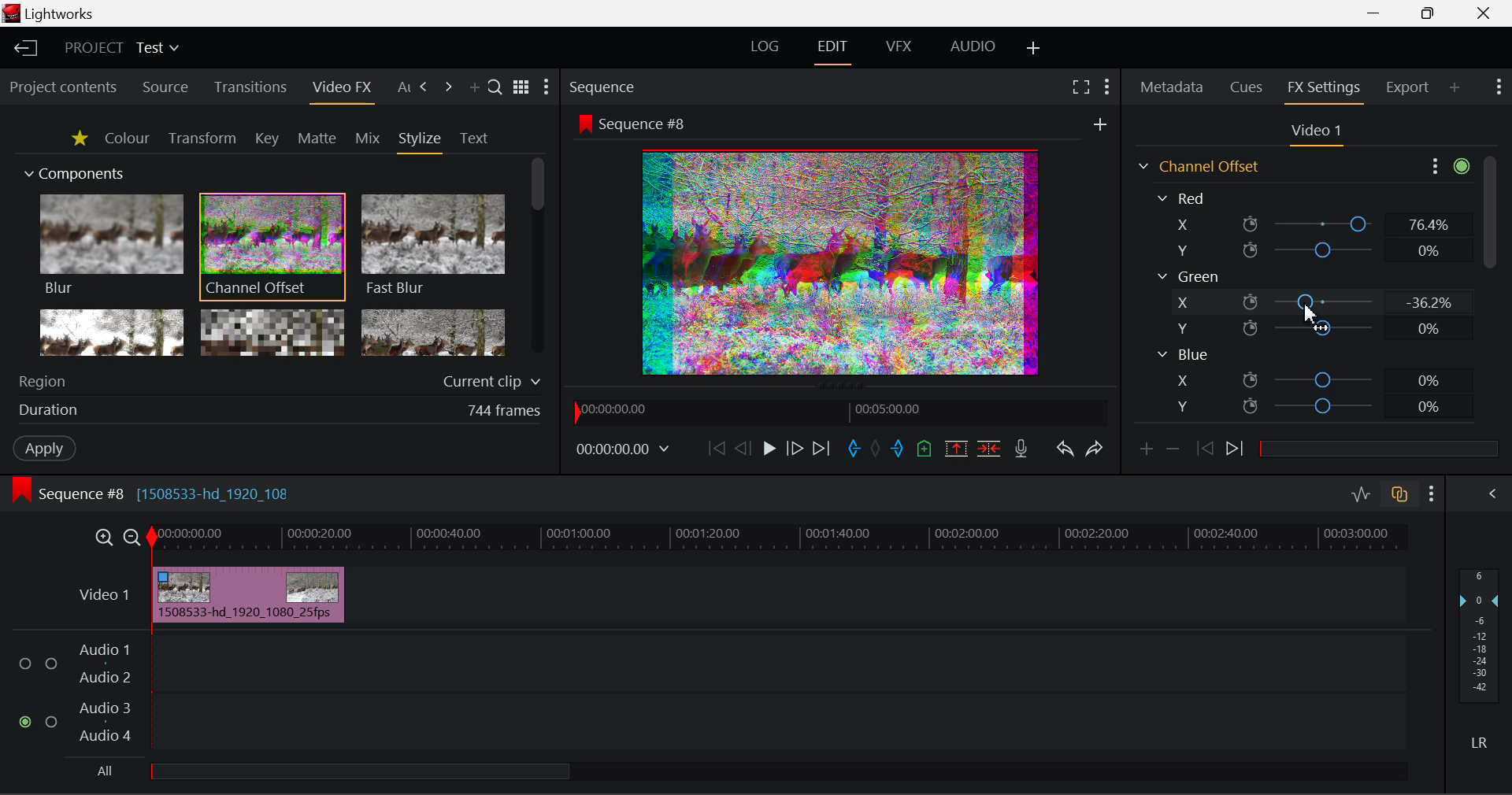 The width and height of the screenshot is (1512, 795). What do you see at coordinates (1067, 451) in the screenshot?
I see `Undo` at bounding box center [1067, 451].